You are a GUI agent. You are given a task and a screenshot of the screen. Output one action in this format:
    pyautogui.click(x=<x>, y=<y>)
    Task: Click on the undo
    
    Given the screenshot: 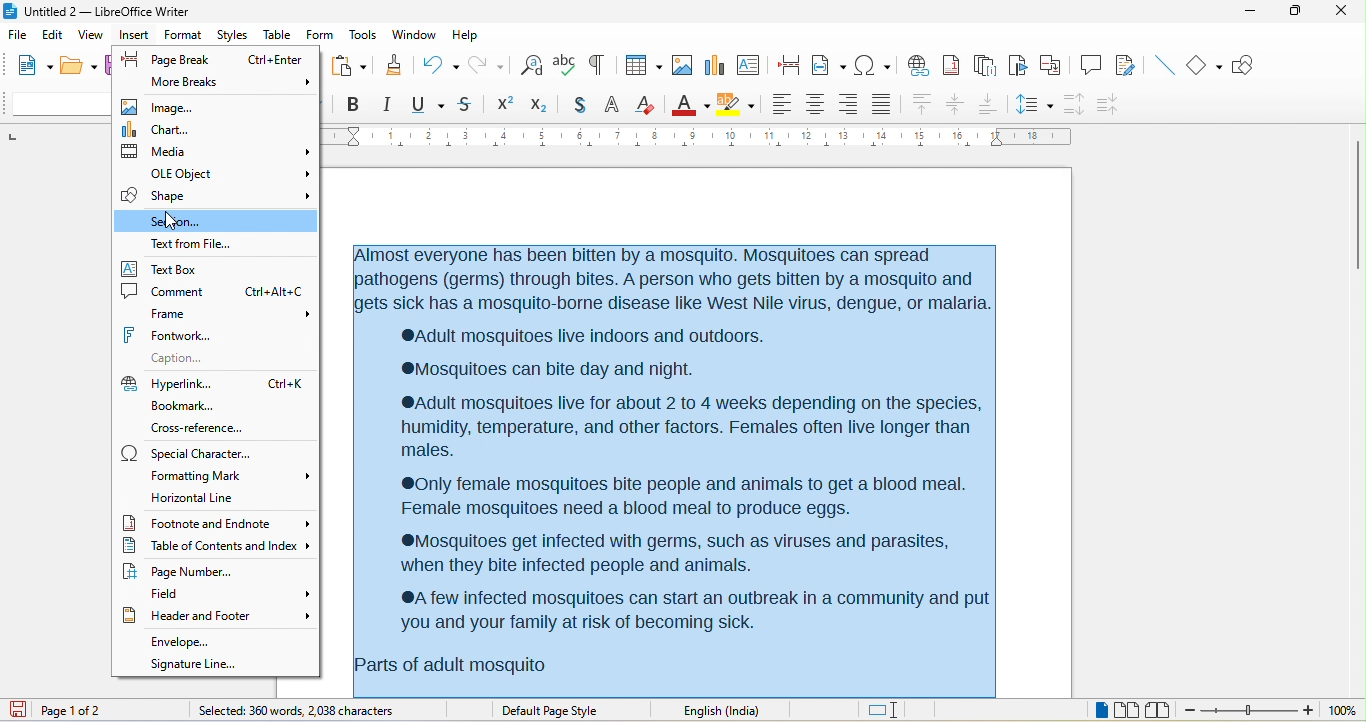 What is the action you would take?
    pyautogui.click(x=436, y=65)
    